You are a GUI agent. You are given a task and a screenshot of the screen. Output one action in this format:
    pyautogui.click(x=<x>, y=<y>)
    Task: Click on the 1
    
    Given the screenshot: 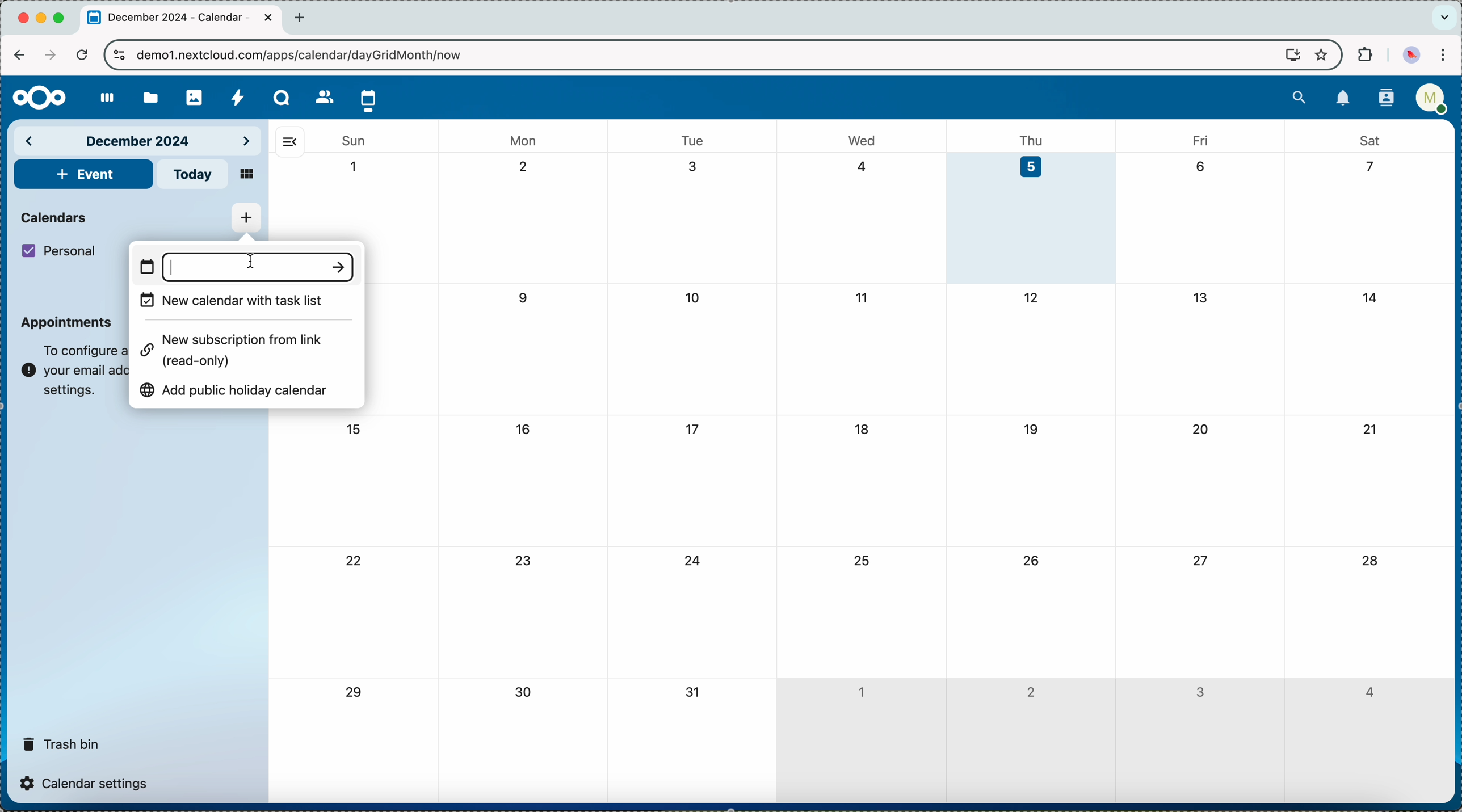 What is the action you would take?
    pyautogui.click(x=860, y=689)
    